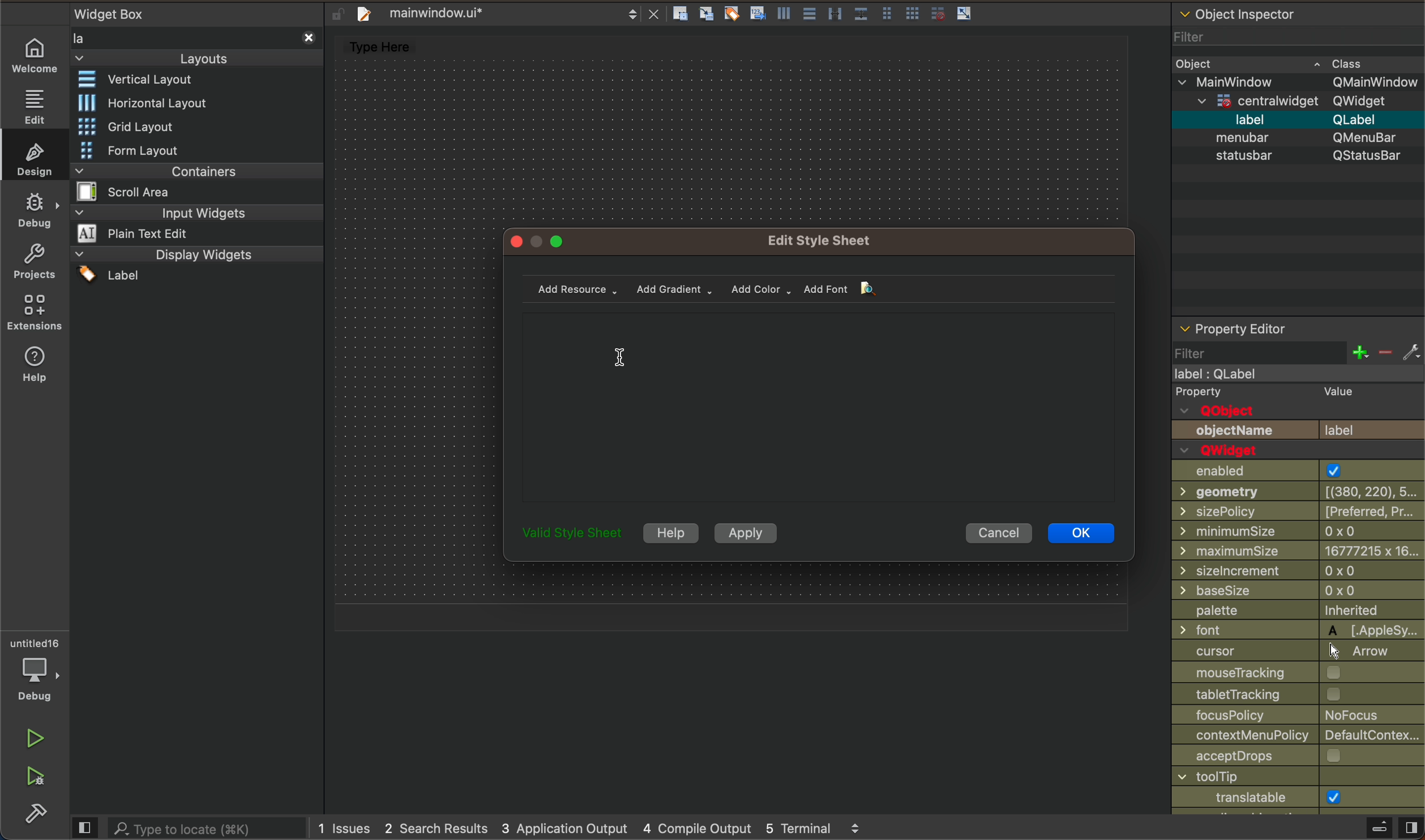 The image size is (1425, 840). I want to click on Edit Style Sheet, so click(825, 241).